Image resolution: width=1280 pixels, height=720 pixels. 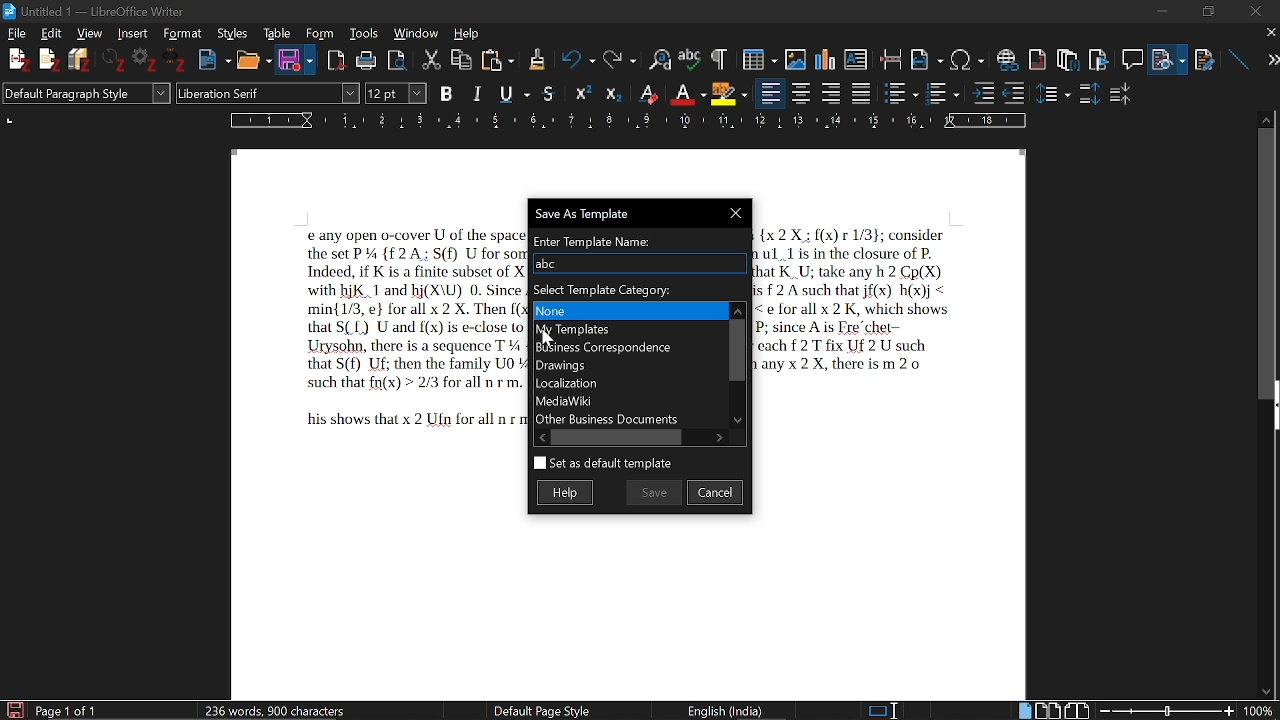 What do you see at coordinates (637, 287) in the screenshot?
I see `Select Template category` at bounding box center [637, 287].